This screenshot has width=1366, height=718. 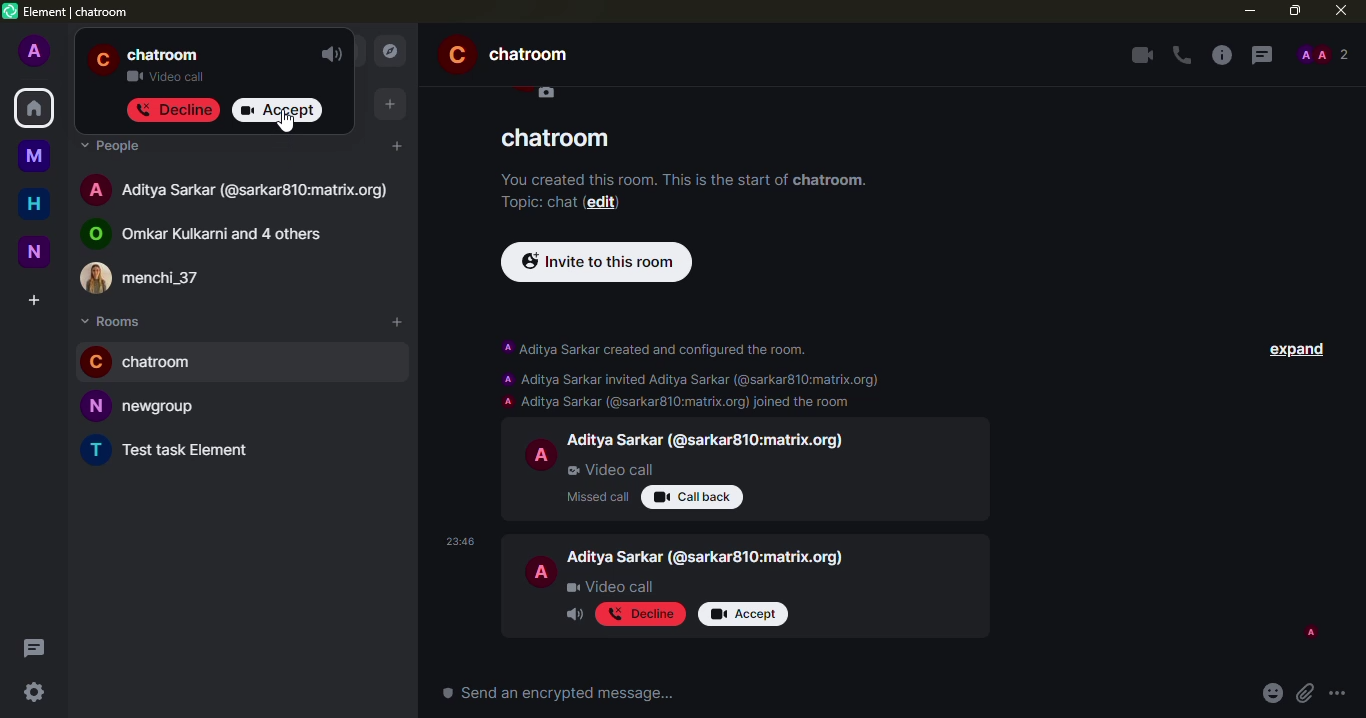 I want to click on people, so click(x=1324, y=54).